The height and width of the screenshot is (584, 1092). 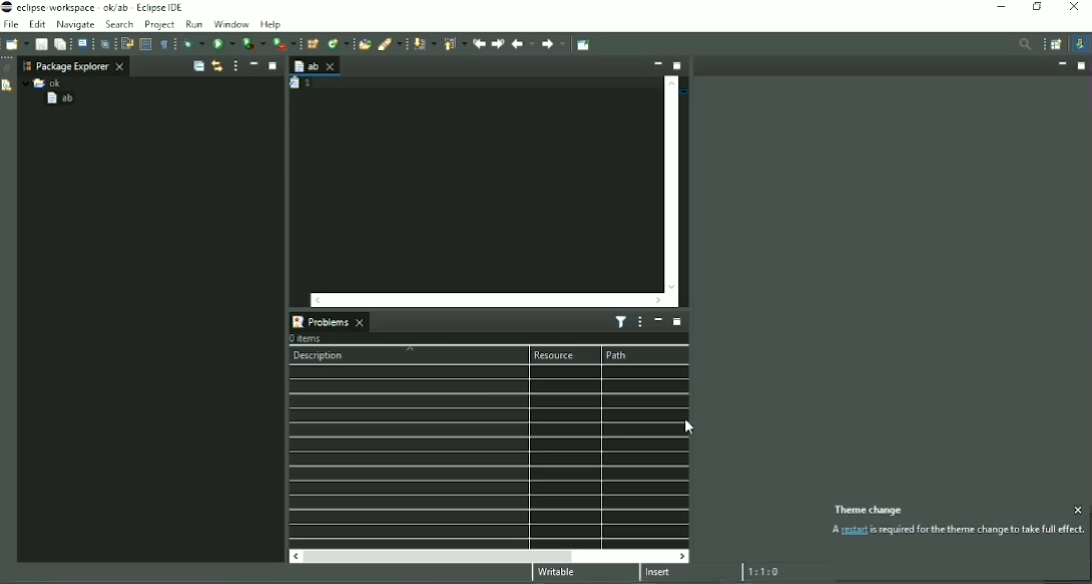 I want to click on 1:1:0, so click(x=770, y=573).